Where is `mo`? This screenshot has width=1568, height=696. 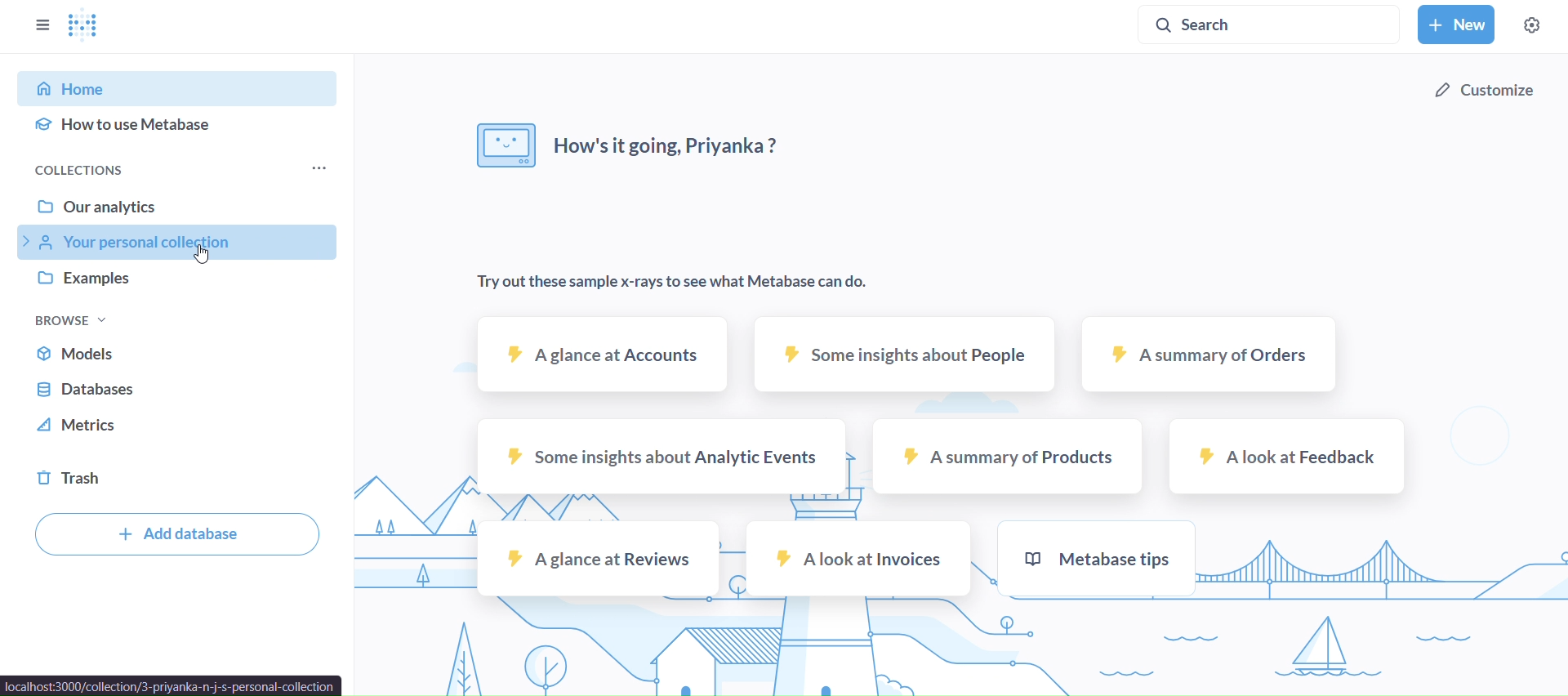
mo is located at coordinates (317, 168).